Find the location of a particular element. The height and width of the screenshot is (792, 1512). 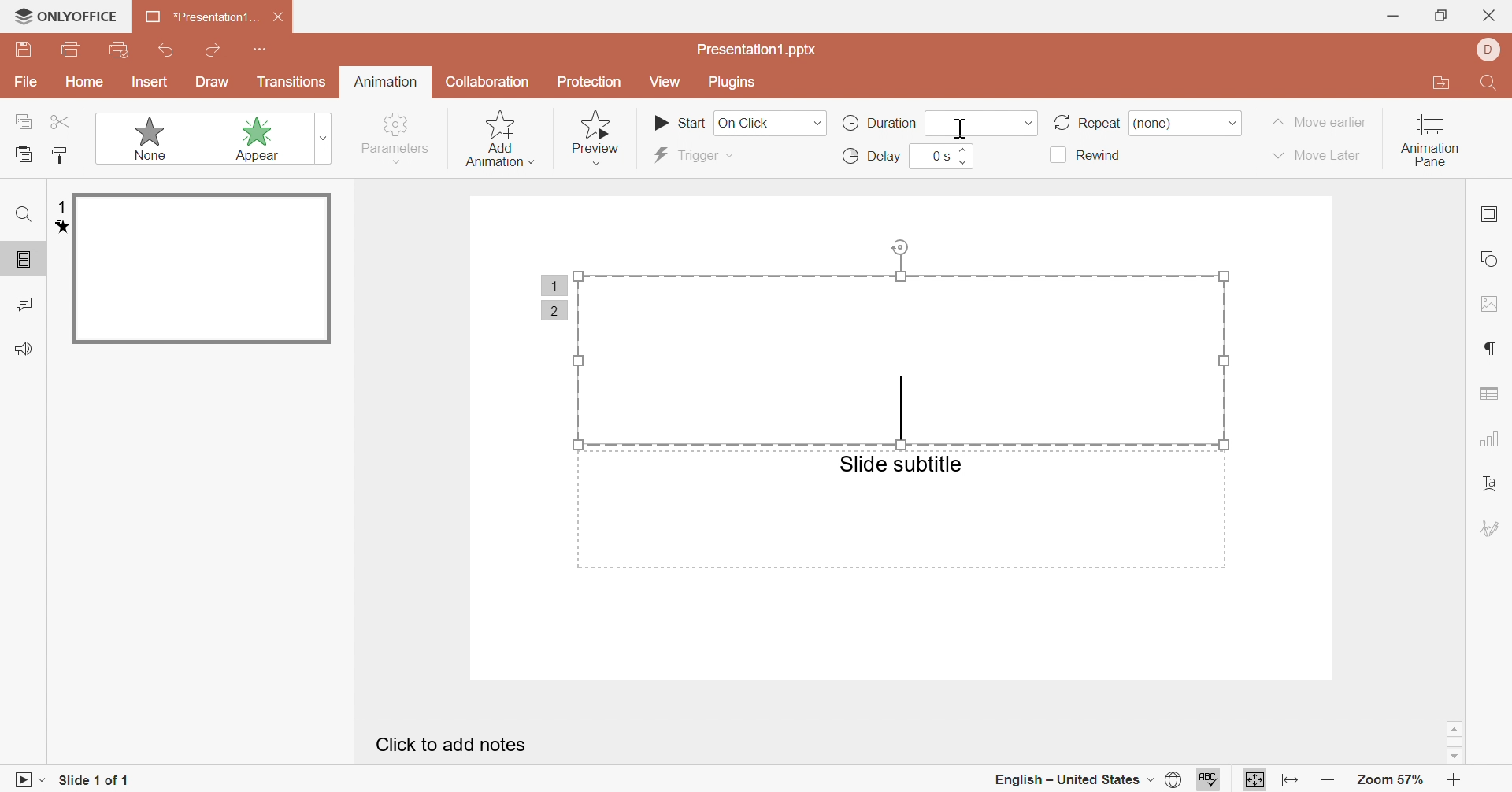

*presentation1... is located at coordinates (199, 17).